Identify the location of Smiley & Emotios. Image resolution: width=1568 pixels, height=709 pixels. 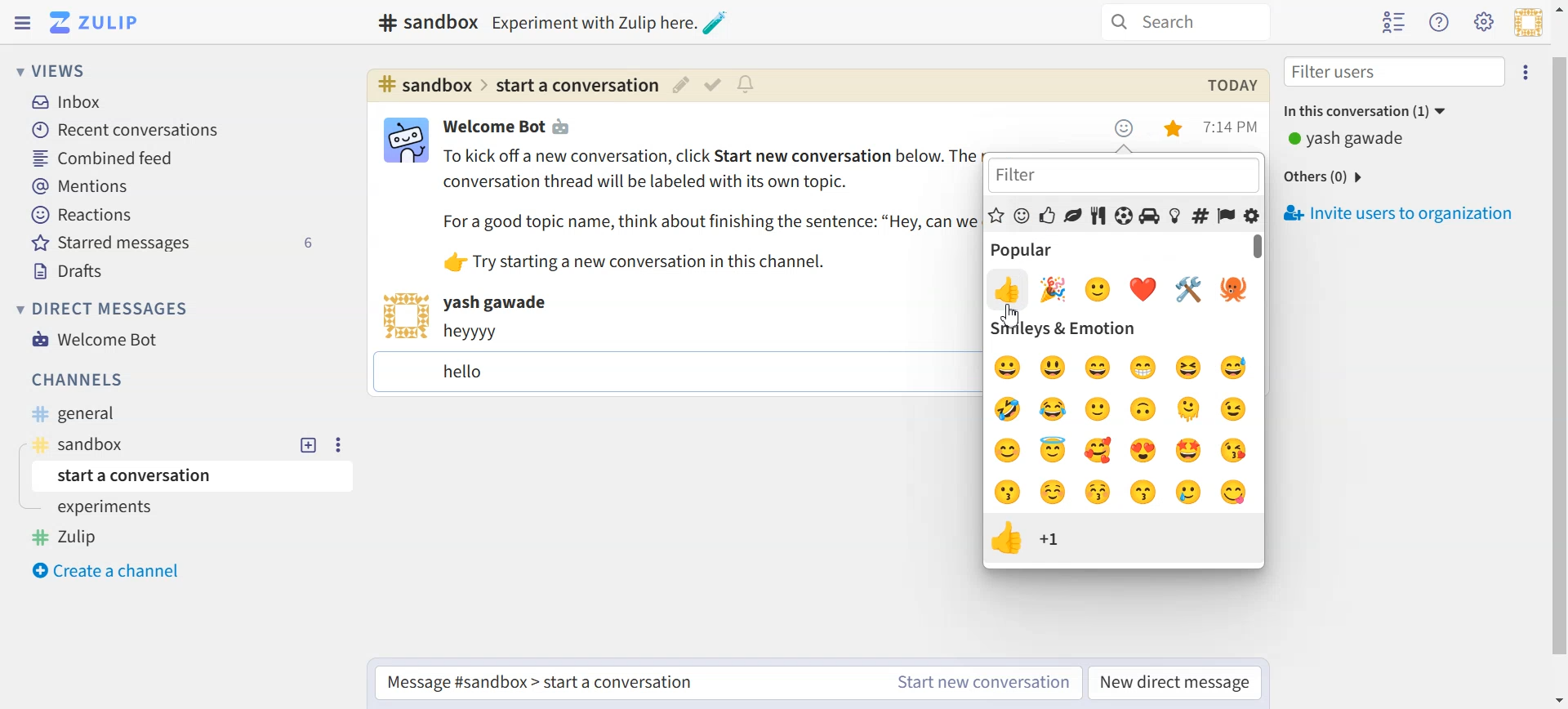
(1098, 334).